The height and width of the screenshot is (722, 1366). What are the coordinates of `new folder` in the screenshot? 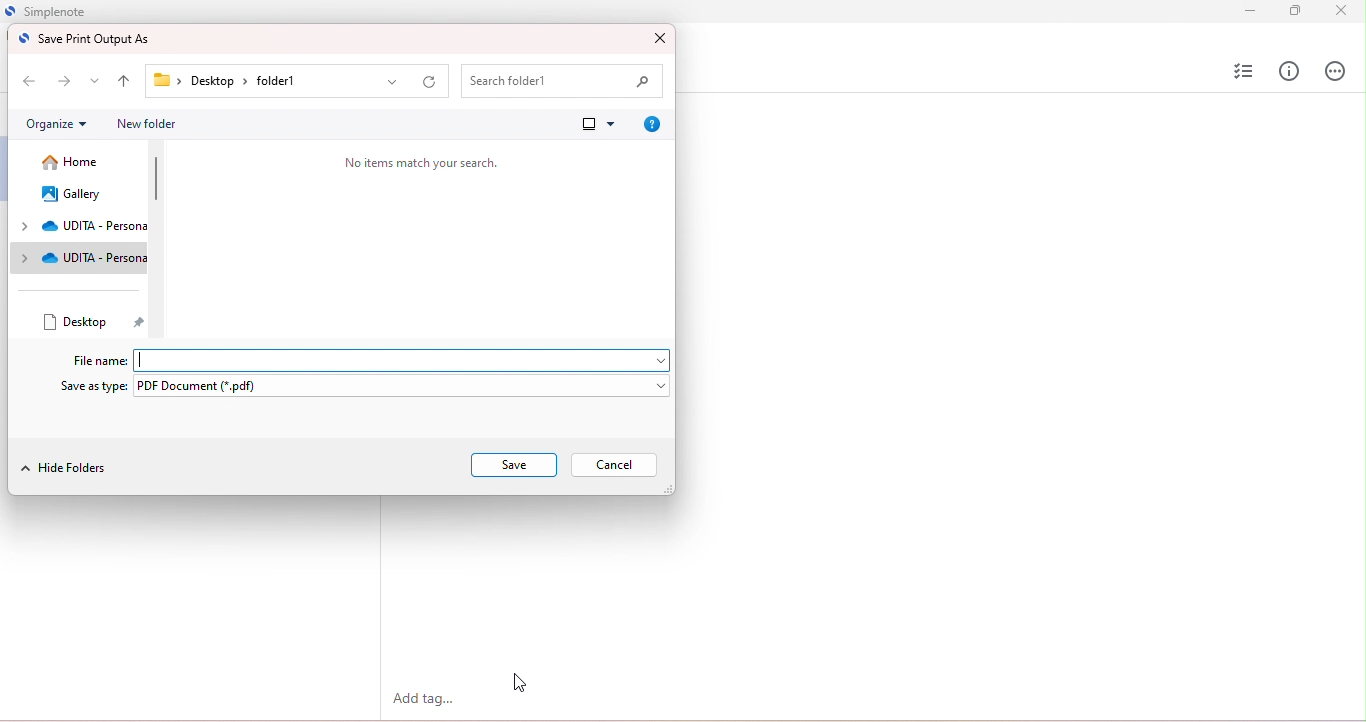 It's located at (146, 124).